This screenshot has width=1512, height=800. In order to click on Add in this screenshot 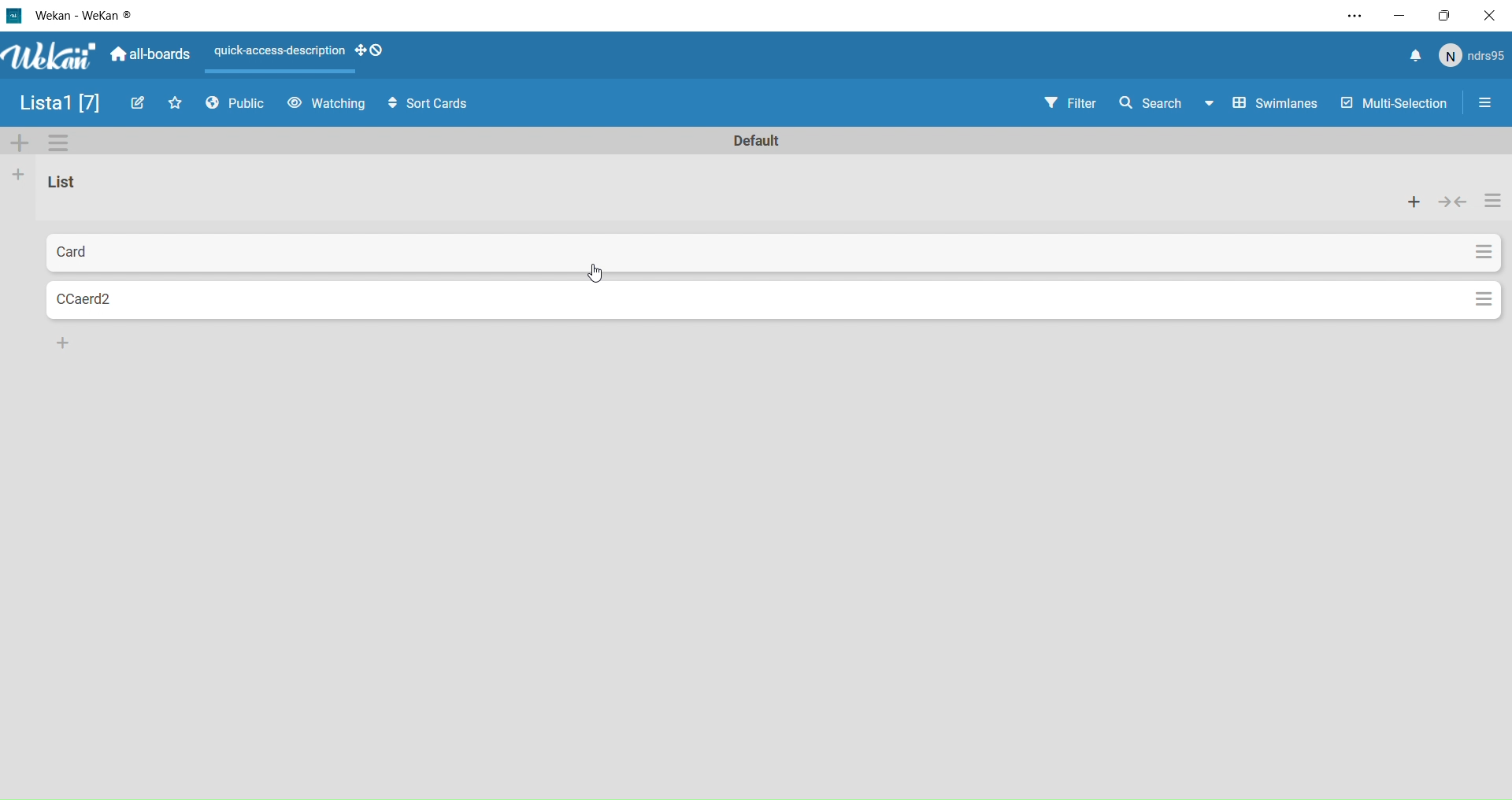, I will do `click(17, 140)`.